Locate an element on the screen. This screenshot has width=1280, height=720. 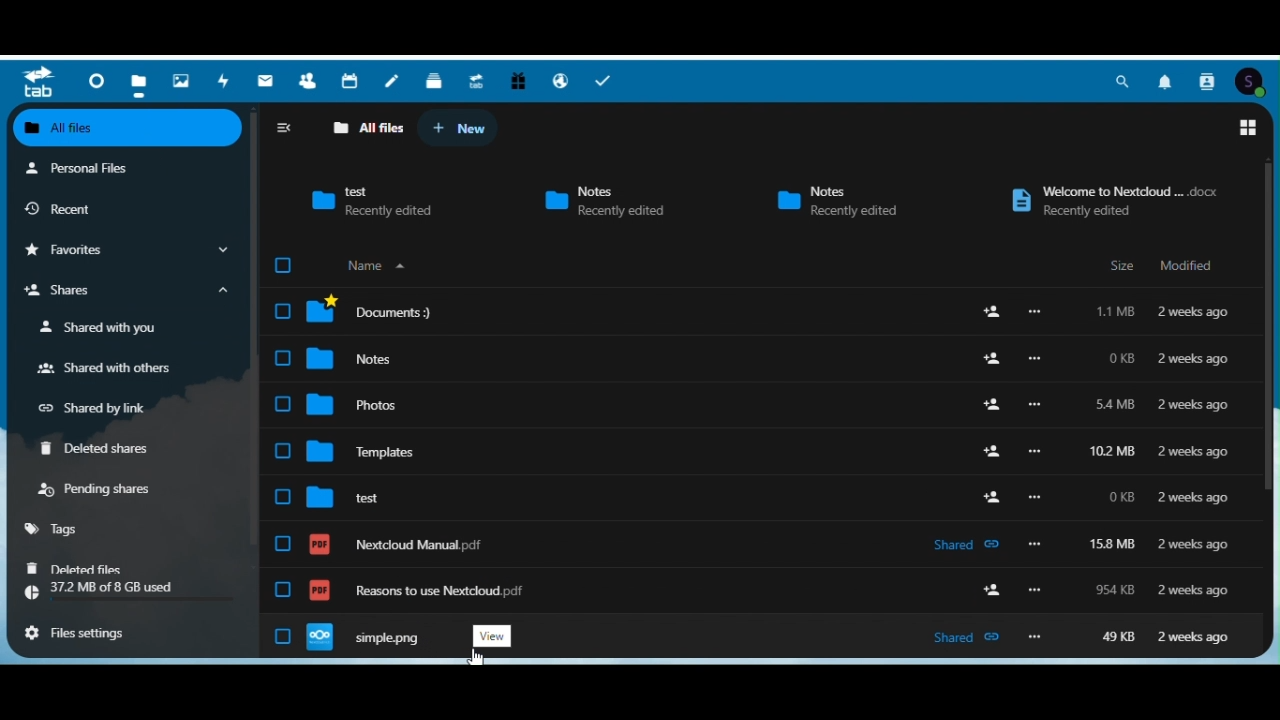
modified is located at coordinates (1194, 637).